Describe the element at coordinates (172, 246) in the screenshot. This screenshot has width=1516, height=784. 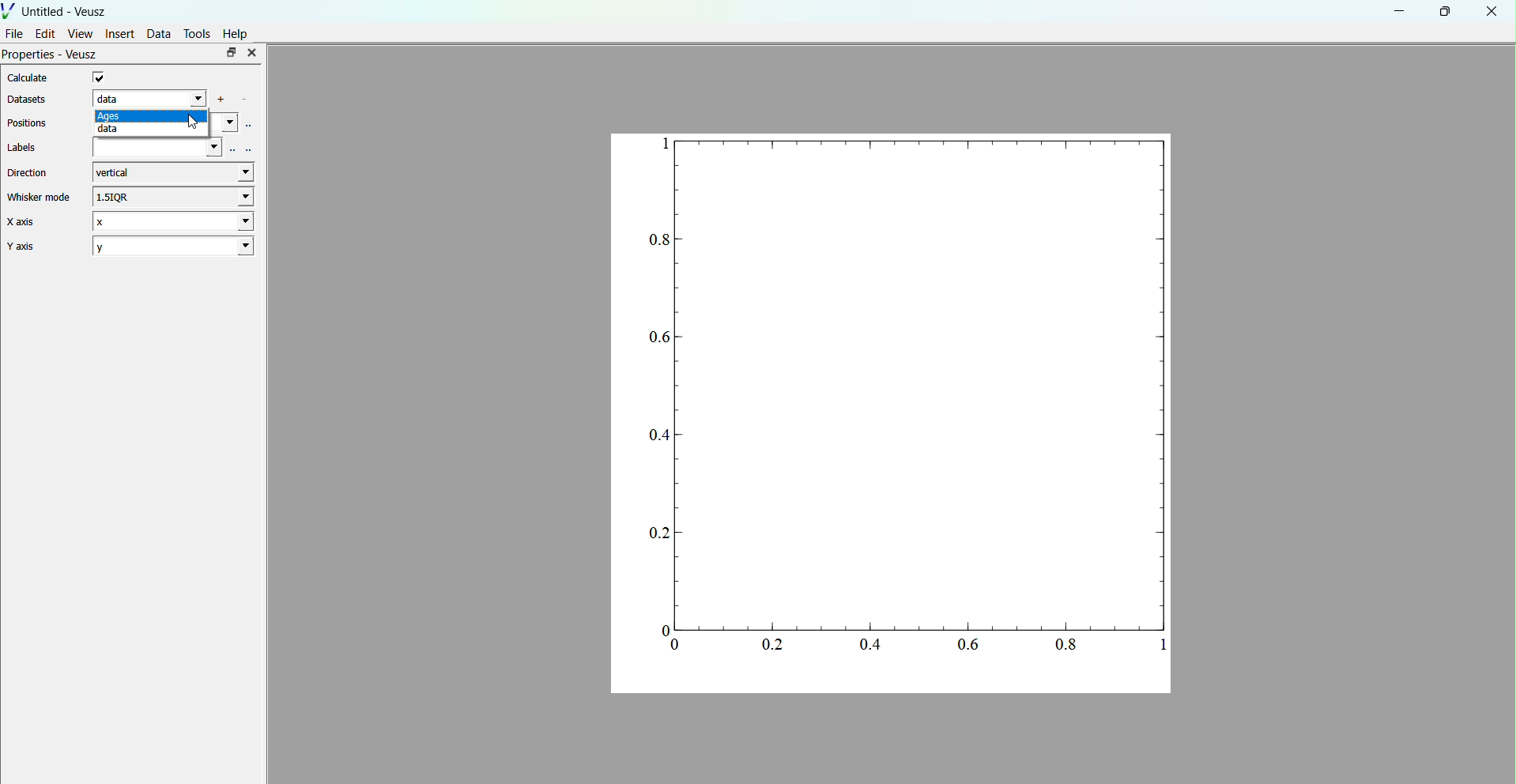
I see `2` at that location.